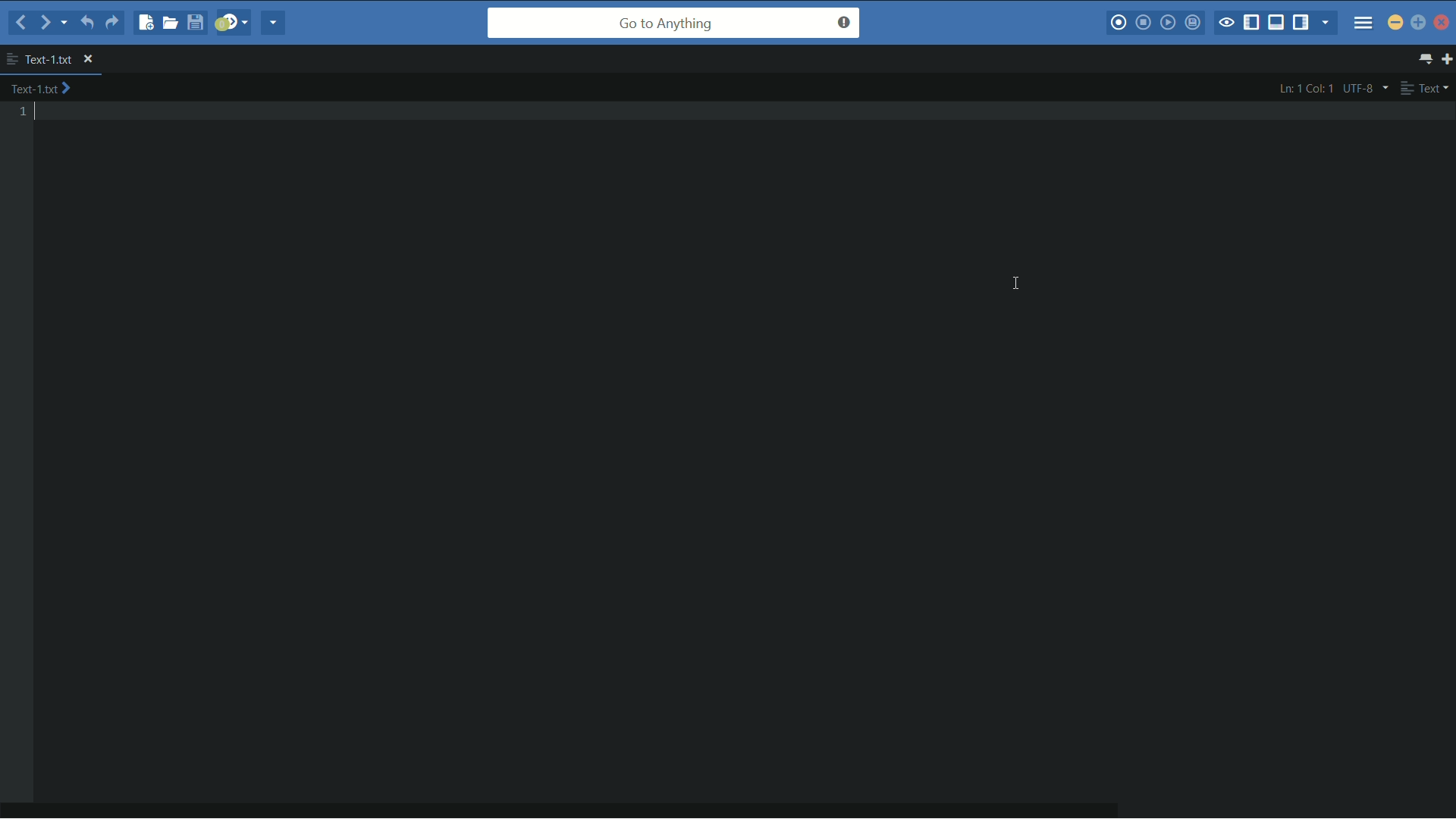  I want to click on text cursor, so click(40, 112).